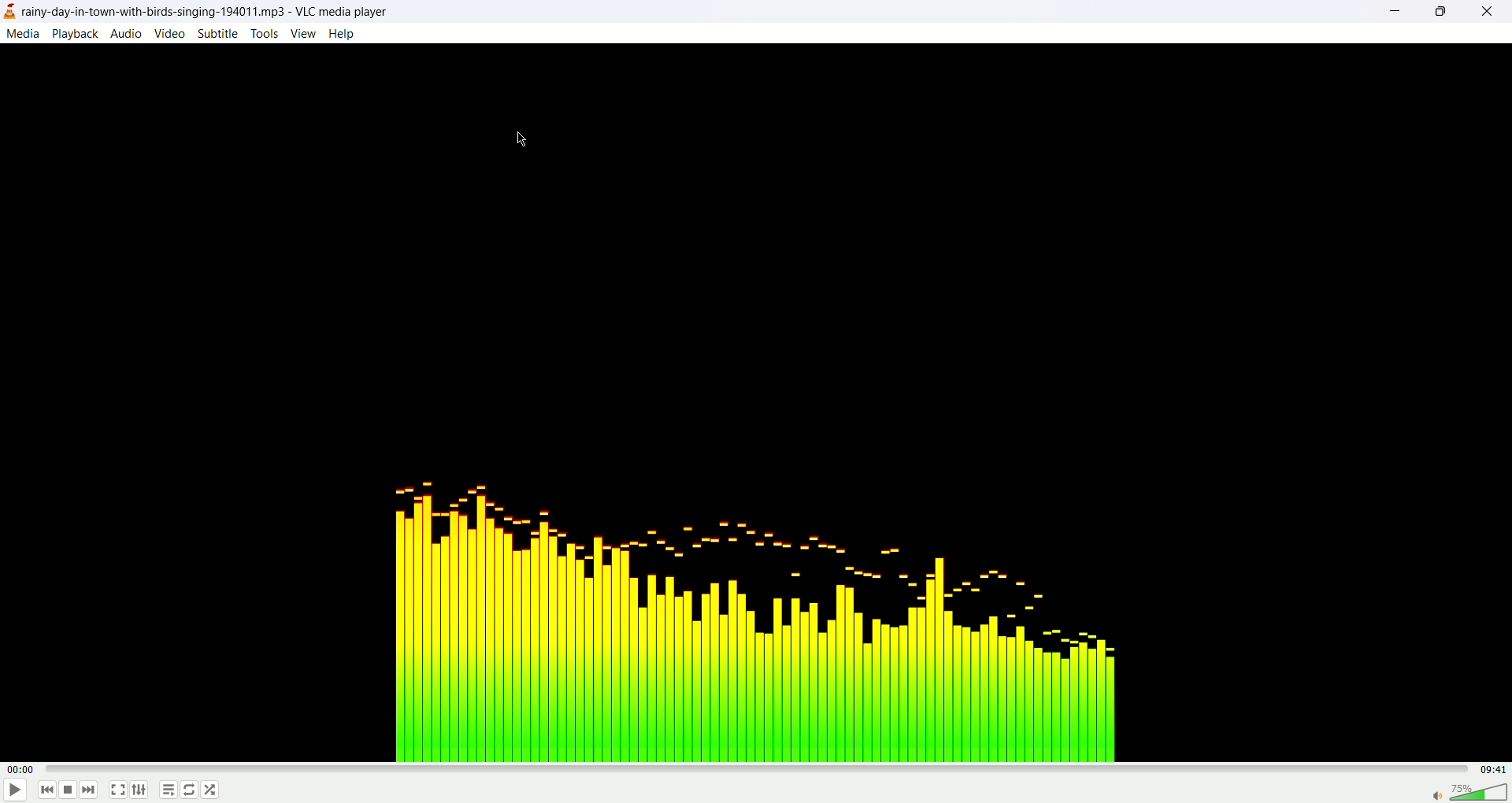  Describe the element at coordinates (17, 768) in the screenshot. I see `played time` at that location.